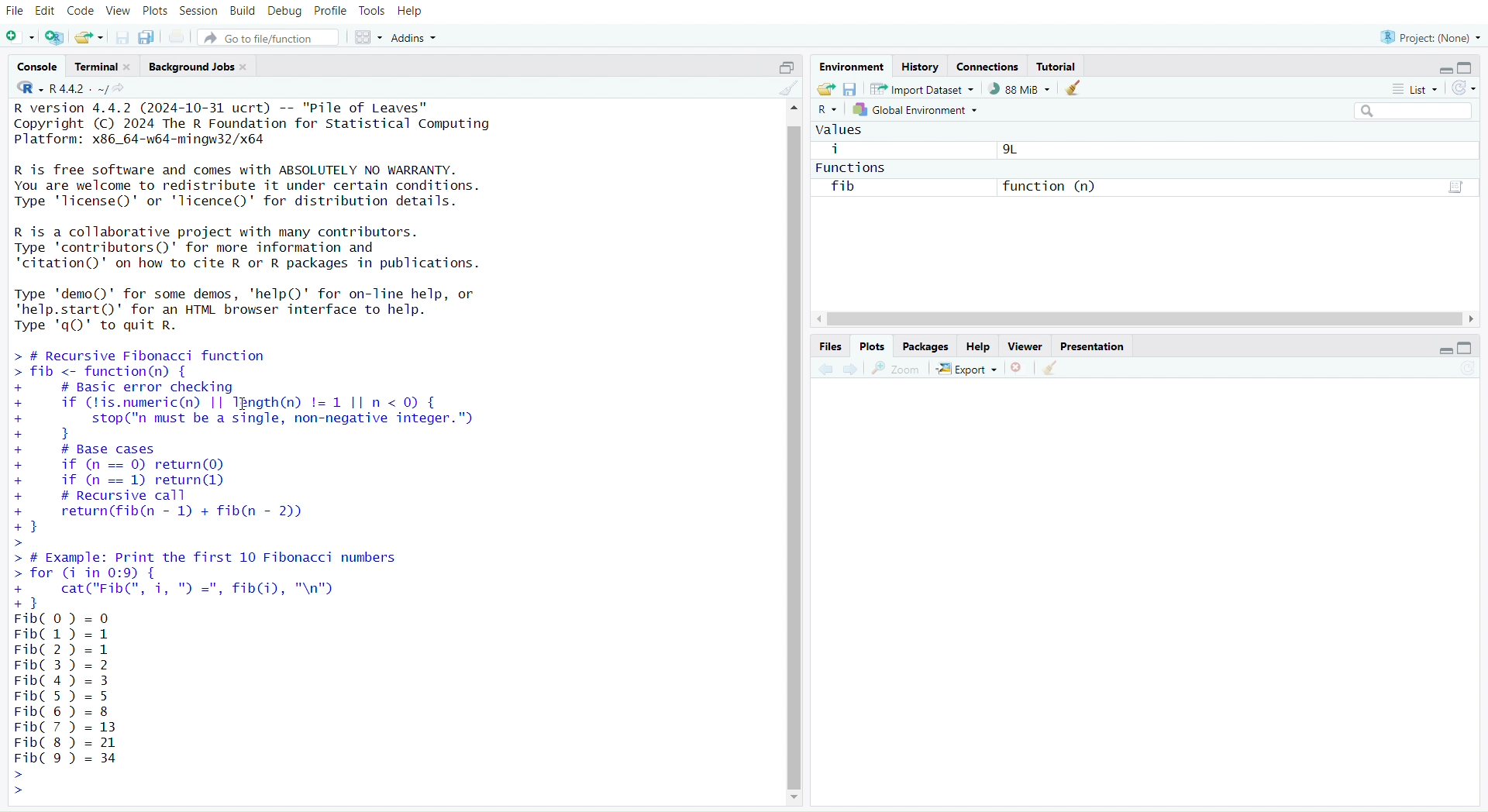 Image resolution: width=1488 pixels, height=812 pixels. Describe the element at coordinates (88, 39) in the screenshot. I see `open an existing file` at that location.